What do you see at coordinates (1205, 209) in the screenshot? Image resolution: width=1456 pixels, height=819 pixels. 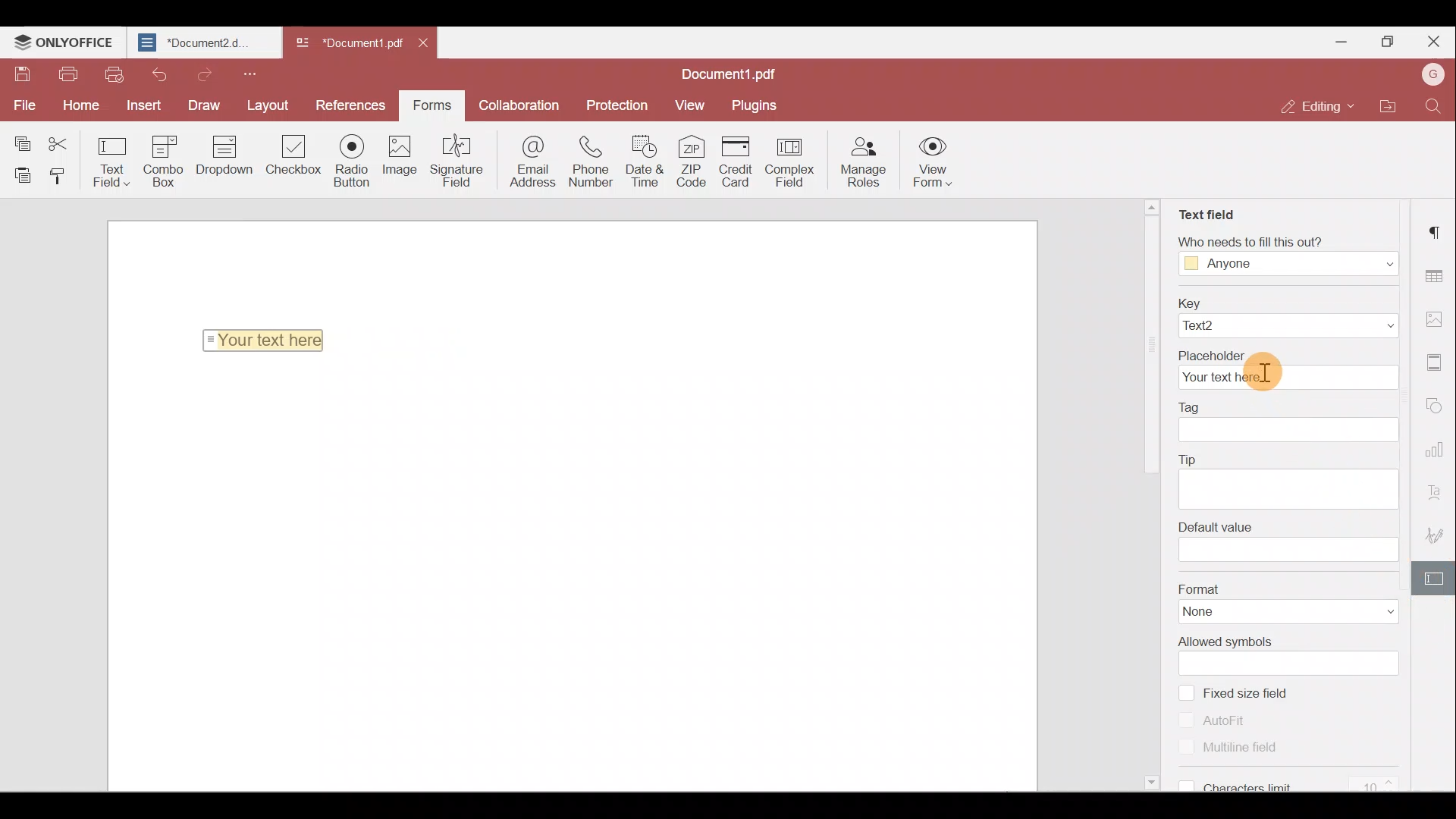 I see `Text field` at bounding box center [1205, 209].